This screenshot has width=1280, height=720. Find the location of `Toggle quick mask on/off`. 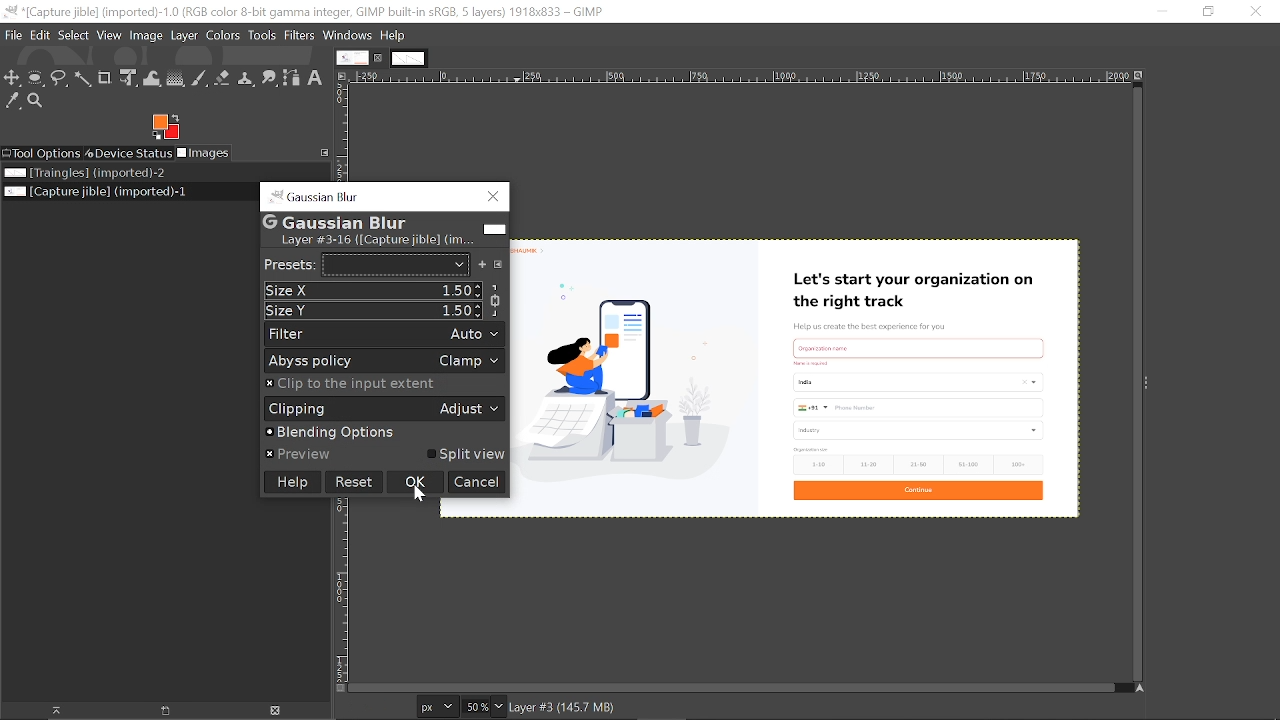

Toggle quick mask on/off is located at coordinates (339, 688).